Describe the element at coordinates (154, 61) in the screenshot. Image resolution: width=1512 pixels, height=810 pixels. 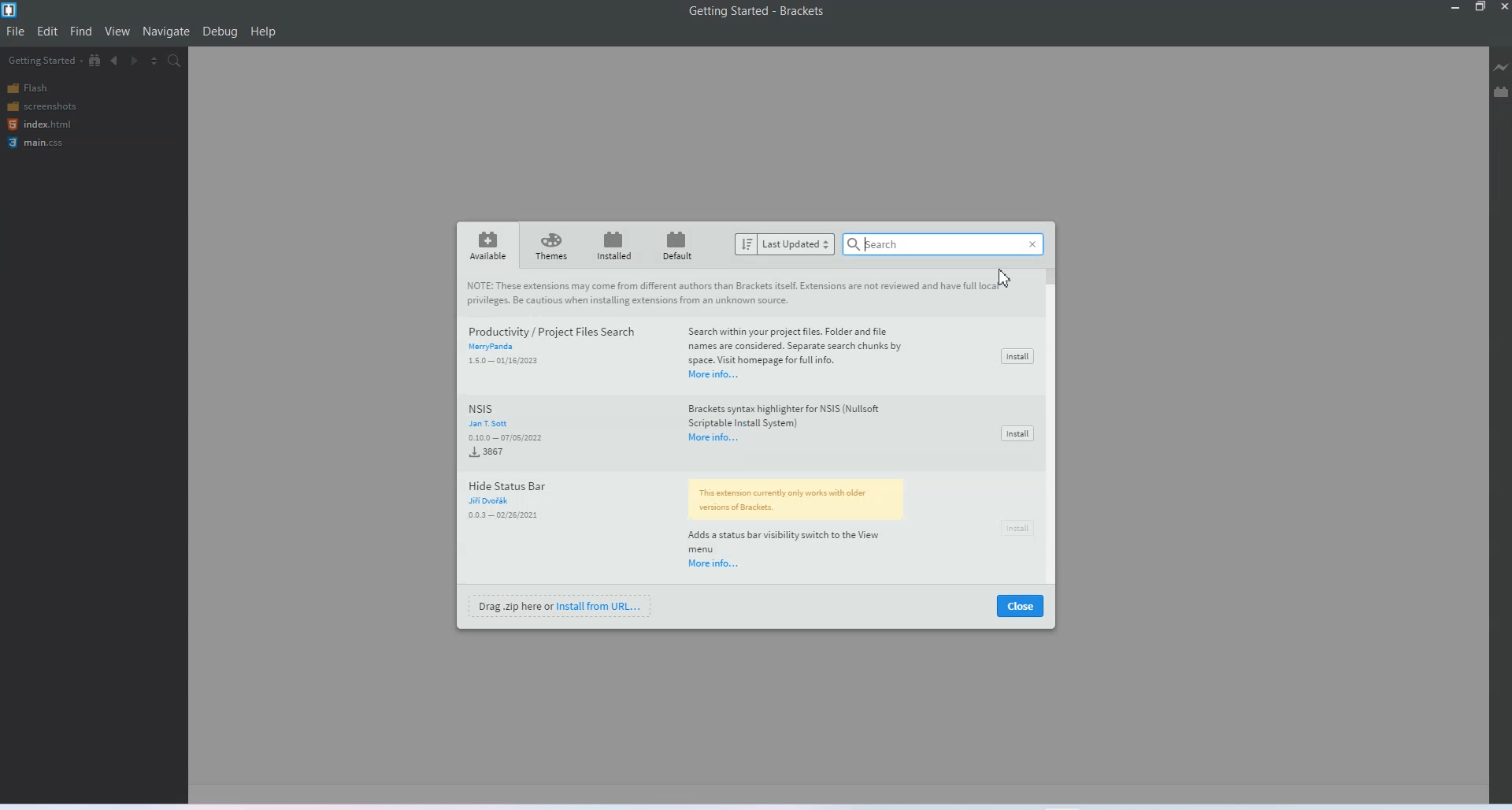
I see `Split the editor vertically or horizontally` at that location.